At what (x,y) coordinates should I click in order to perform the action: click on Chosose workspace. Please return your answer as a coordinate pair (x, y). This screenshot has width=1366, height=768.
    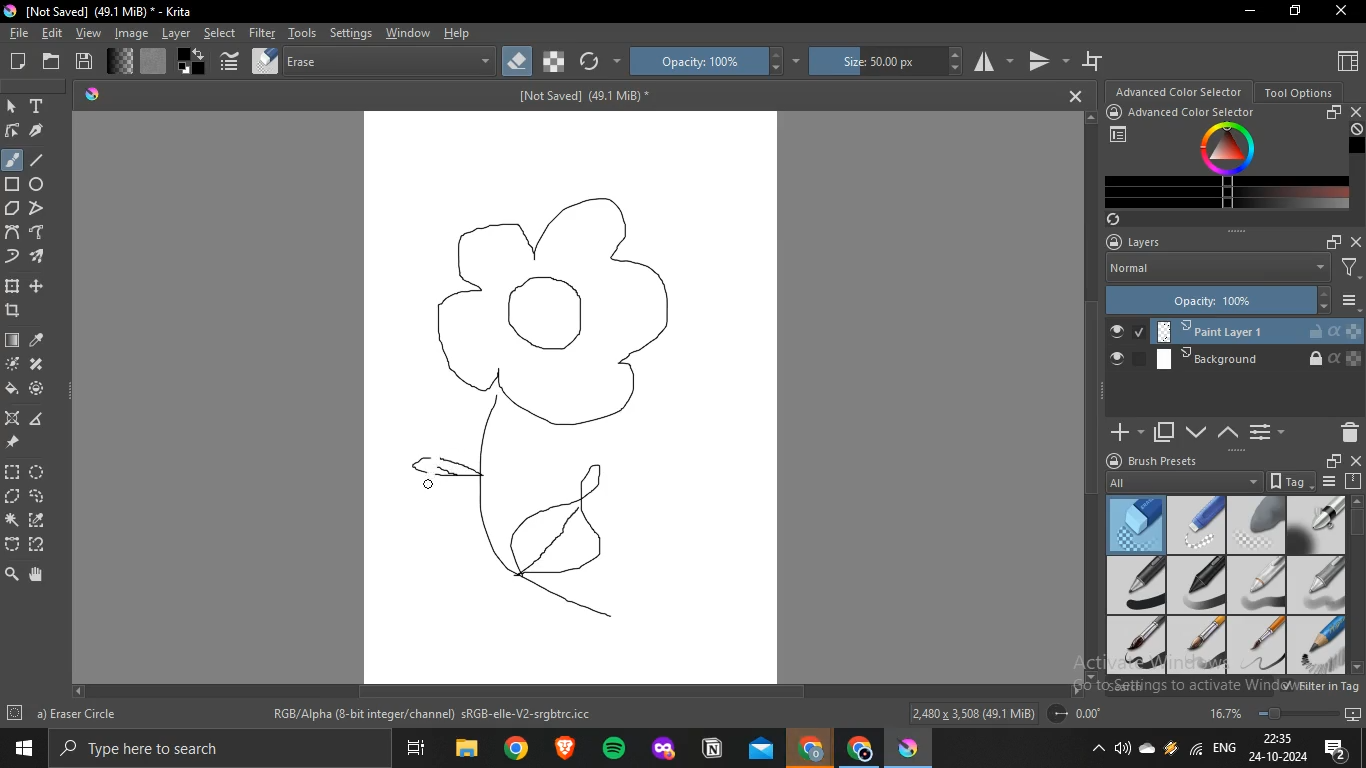
    Looking at the image, I should click on (1120, 135).